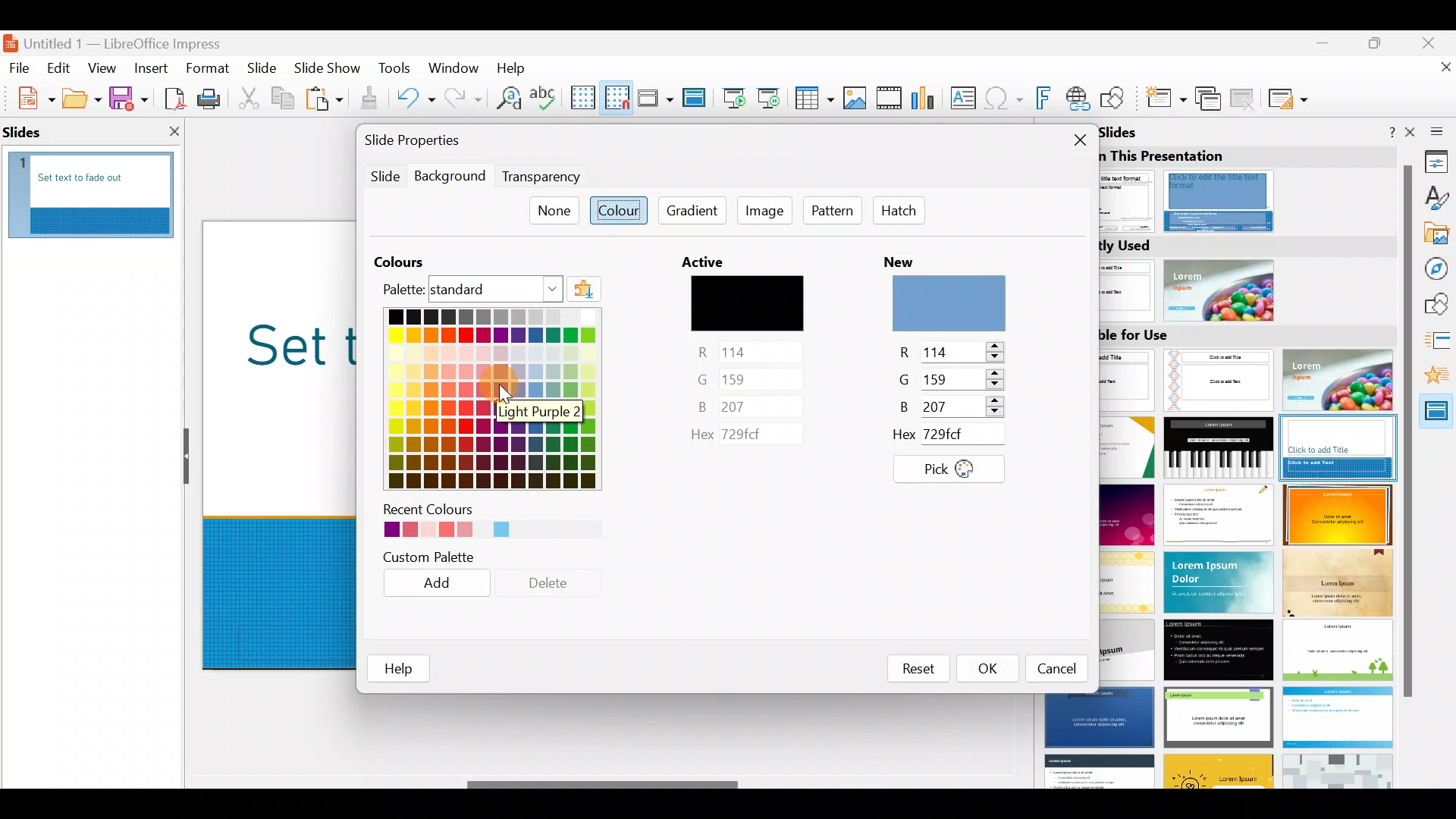 The width and height of the screenshot is (1456, 819). What do you see at coordinates (1046, 101) in the screenshot?
I see `Insert fontwork text` at bounding box center [1046, 101].